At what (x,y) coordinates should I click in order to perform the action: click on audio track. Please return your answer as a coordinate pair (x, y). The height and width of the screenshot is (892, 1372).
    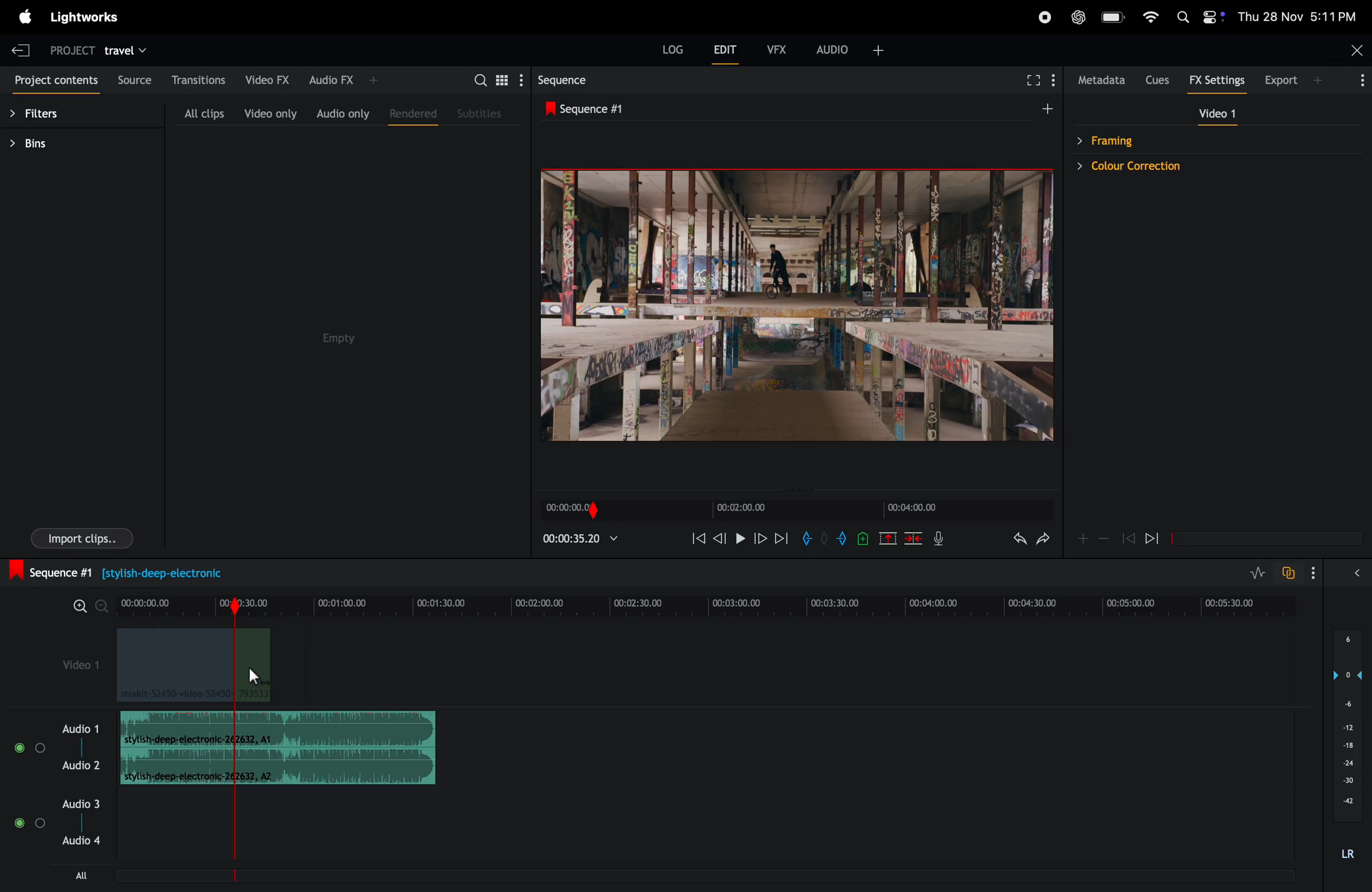
    Looking at the image, I should click on (278, 728).